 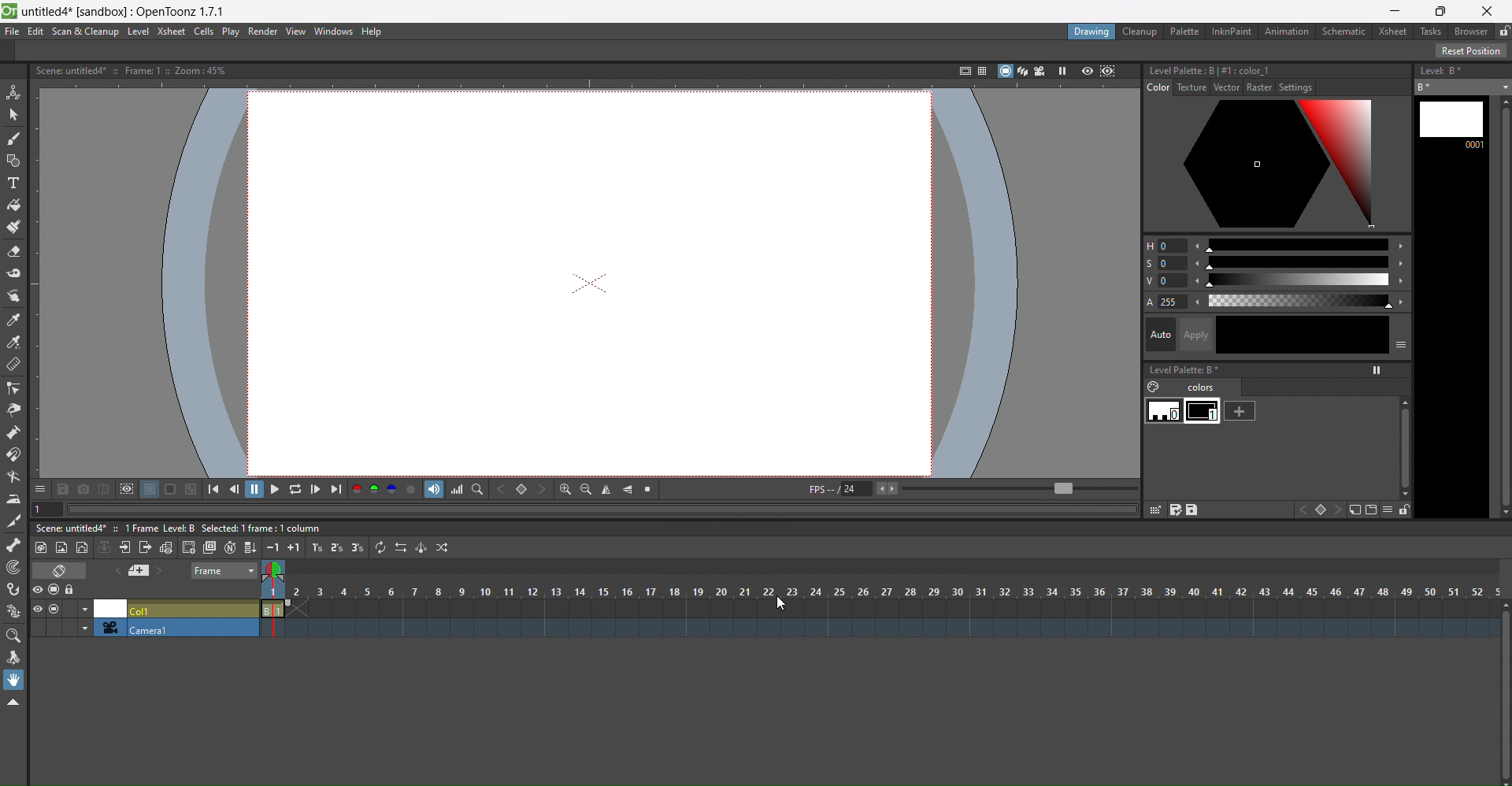 I want to click on random, so click(x=444, y=547).